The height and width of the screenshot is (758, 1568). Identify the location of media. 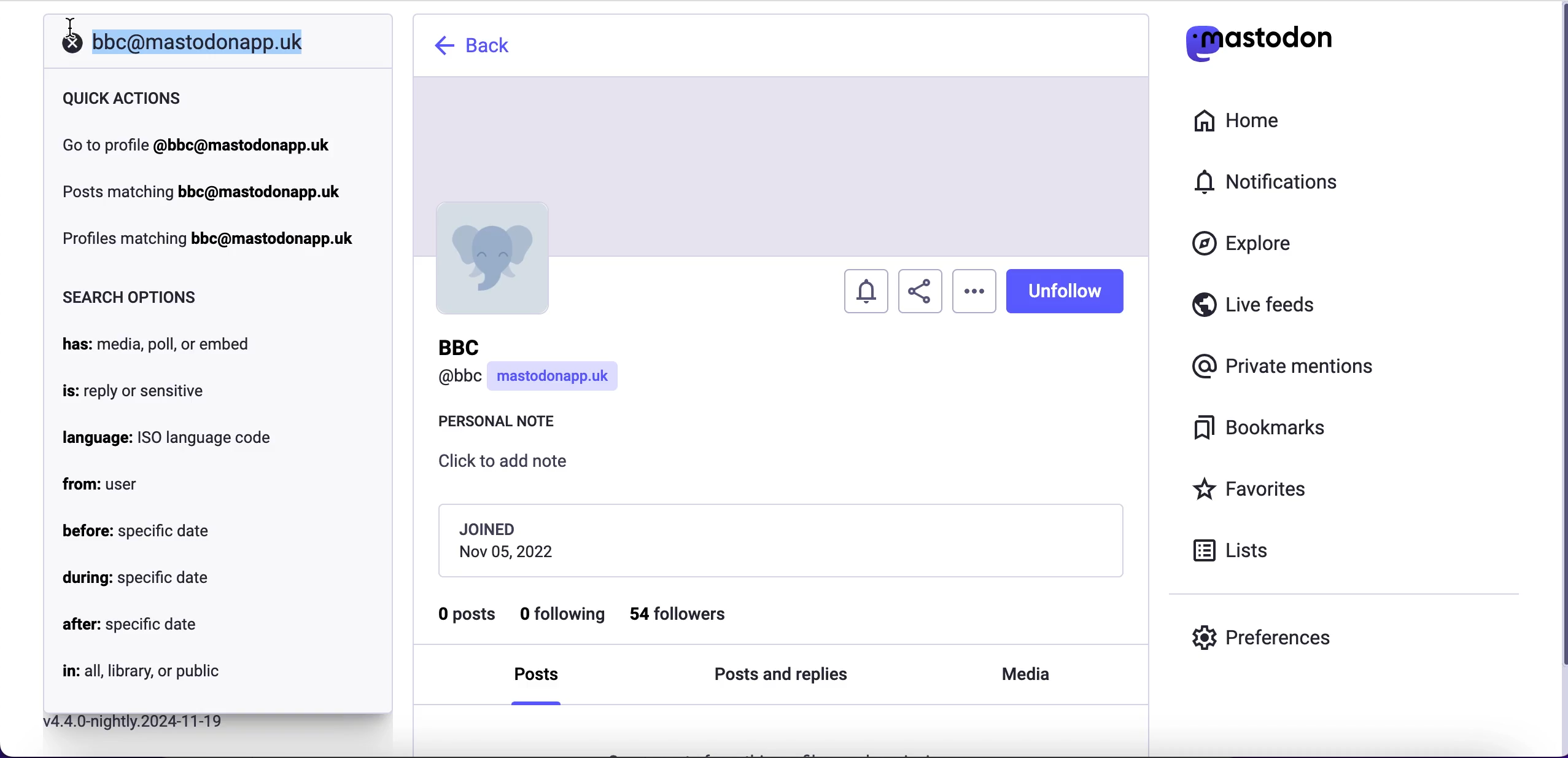
(1023, 675).